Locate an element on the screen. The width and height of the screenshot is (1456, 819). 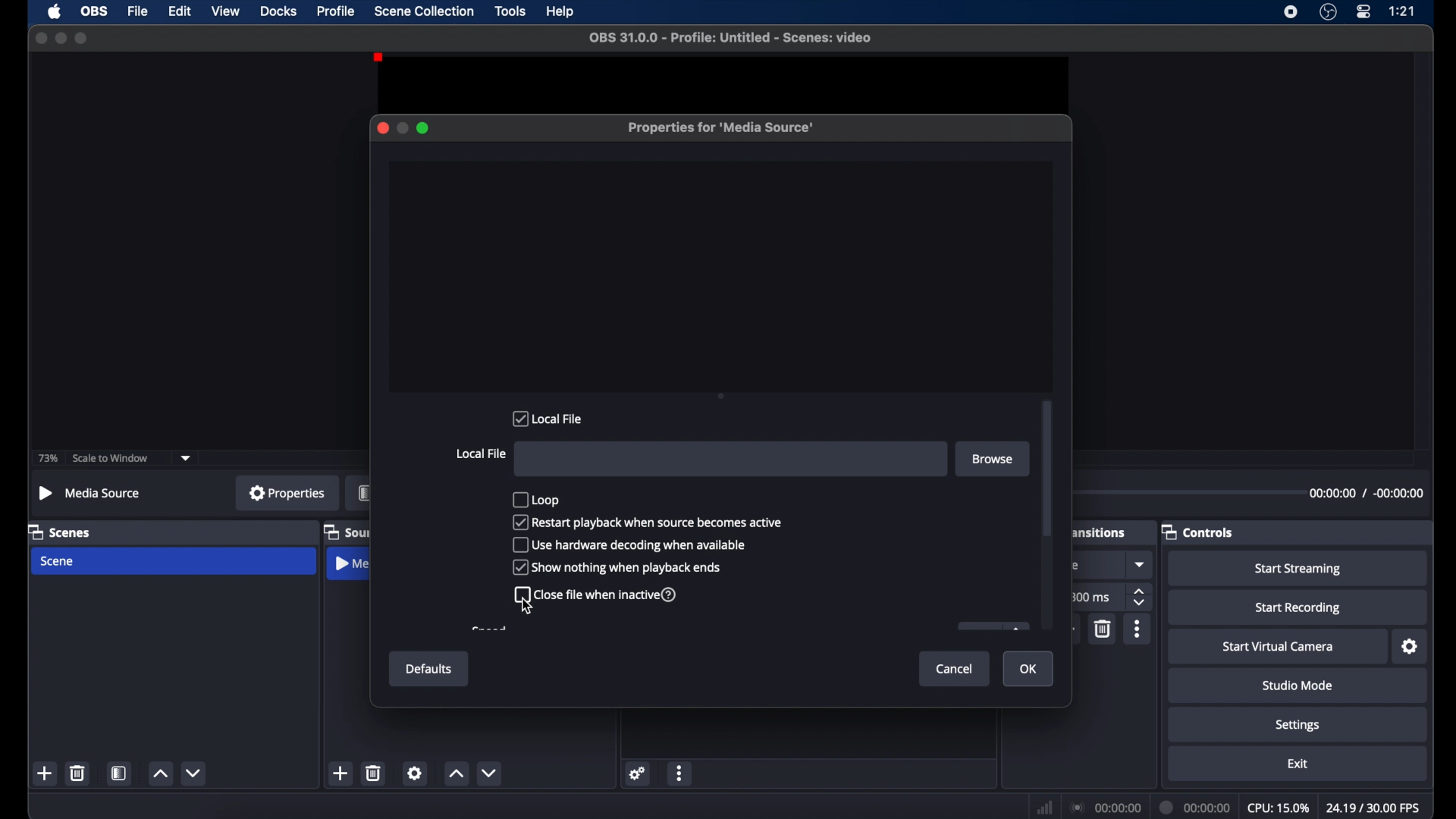
300 ms is located at coordinates (1090, 597).